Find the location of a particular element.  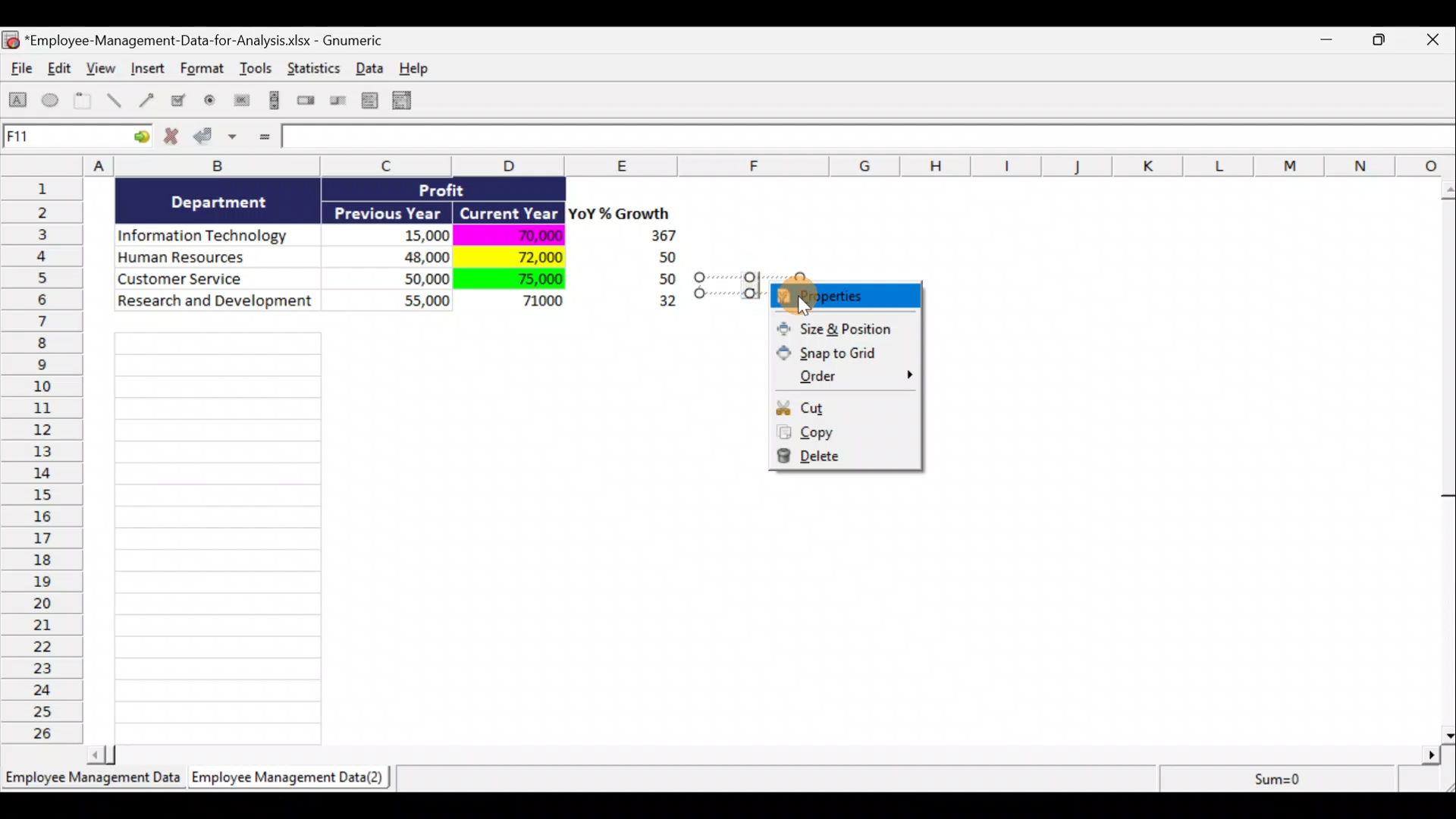

Help is located at coordinates (422, 68).